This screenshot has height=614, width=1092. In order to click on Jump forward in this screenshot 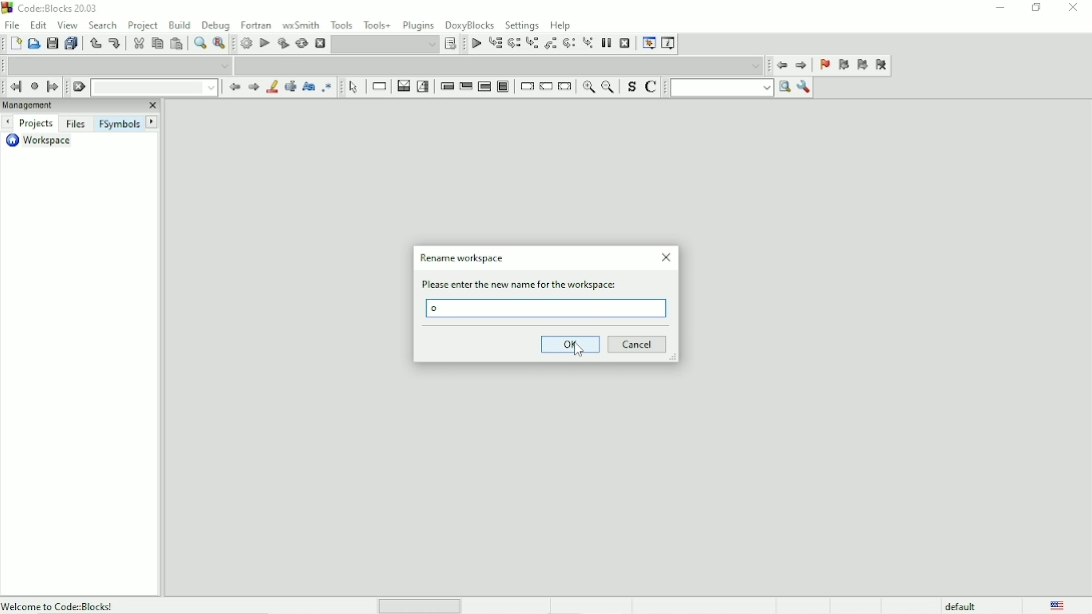, I will do `click(802, 67)`.